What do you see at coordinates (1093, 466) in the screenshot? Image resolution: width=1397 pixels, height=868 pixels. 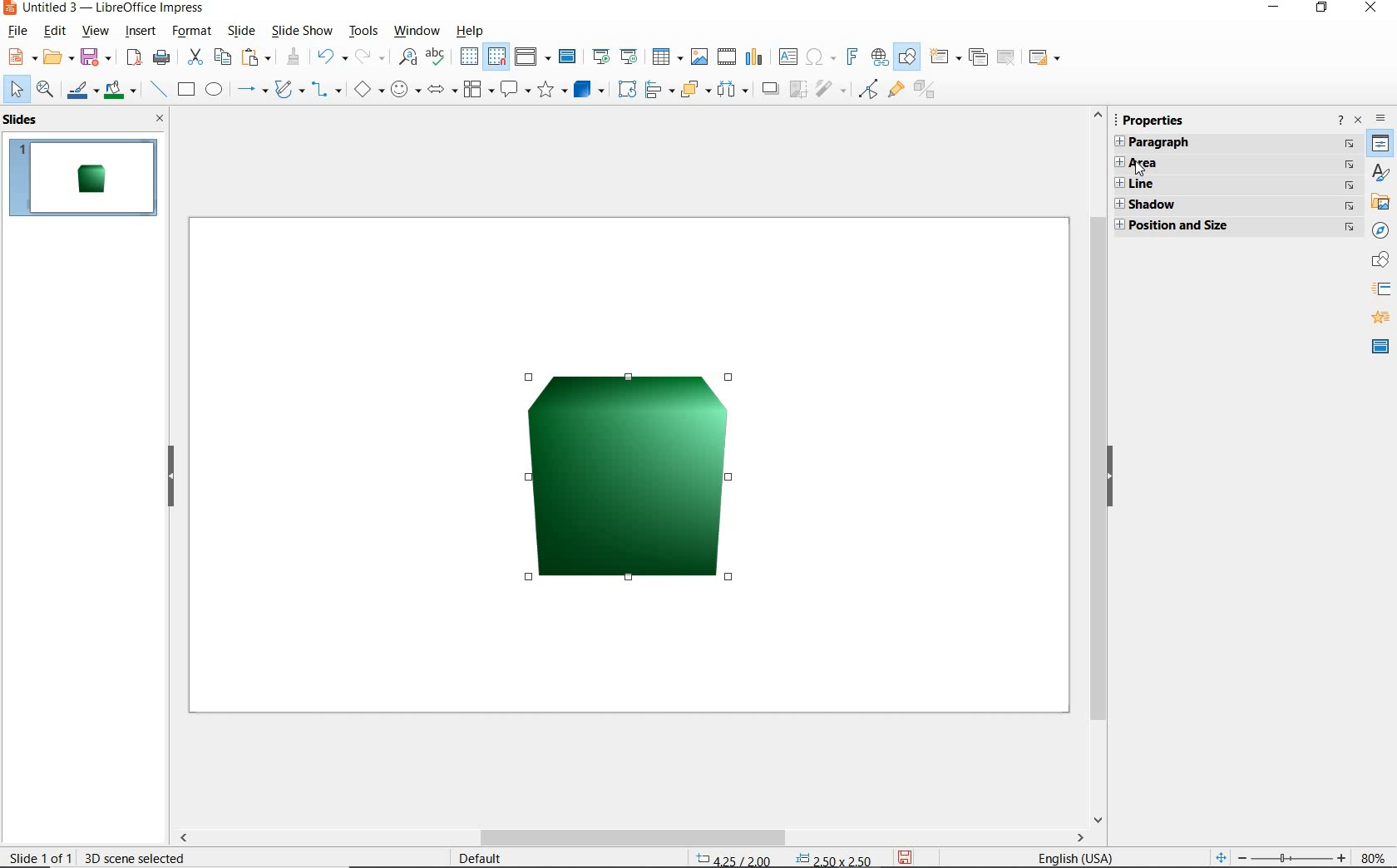 I see `SCROLLBAR` at bounding box center [1093, 466].